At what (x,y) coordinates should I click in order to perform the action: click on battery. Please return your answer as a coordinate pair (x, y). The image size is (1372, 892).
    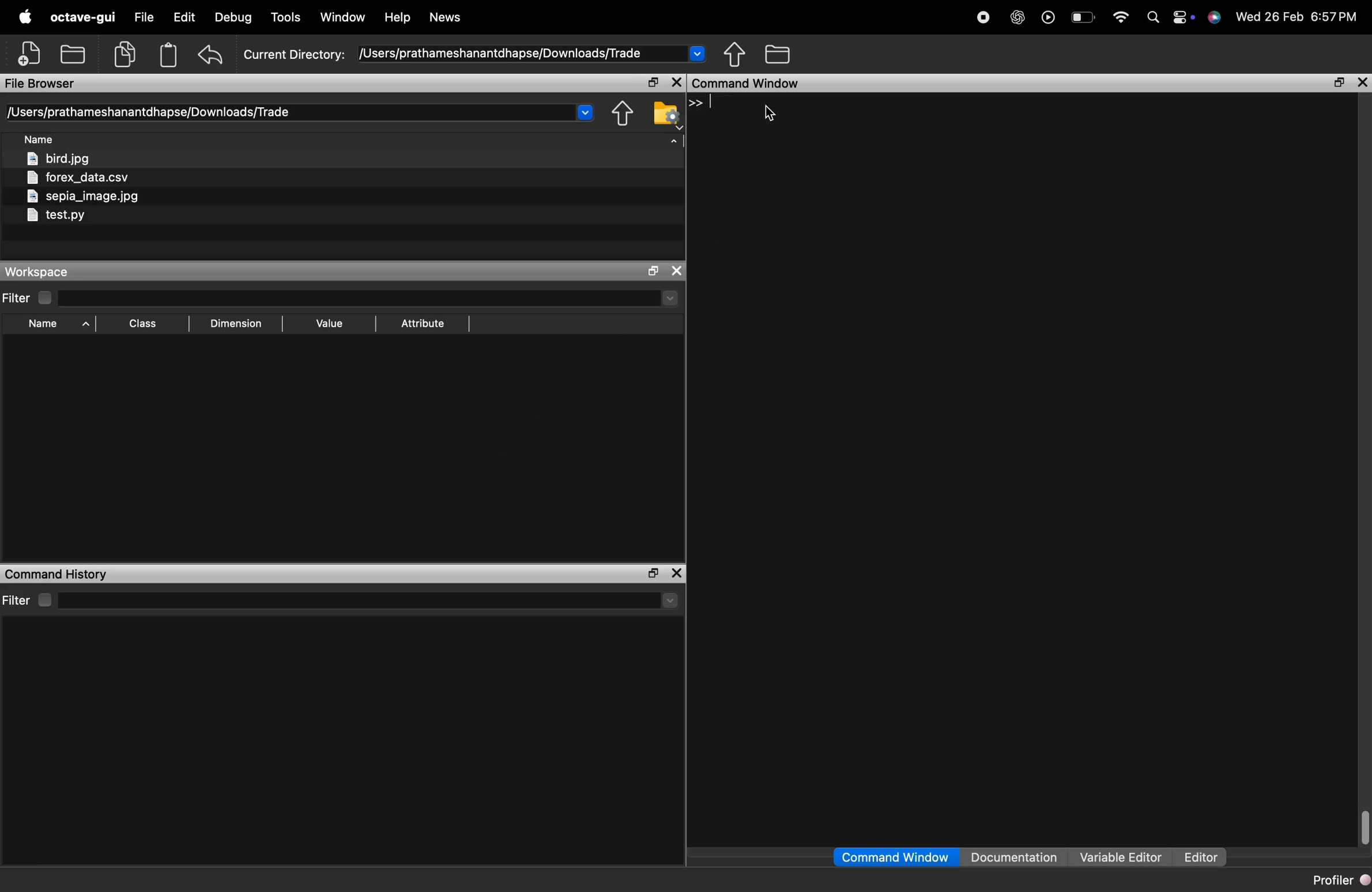
    Looking at the image, I should click on (1086, 18).